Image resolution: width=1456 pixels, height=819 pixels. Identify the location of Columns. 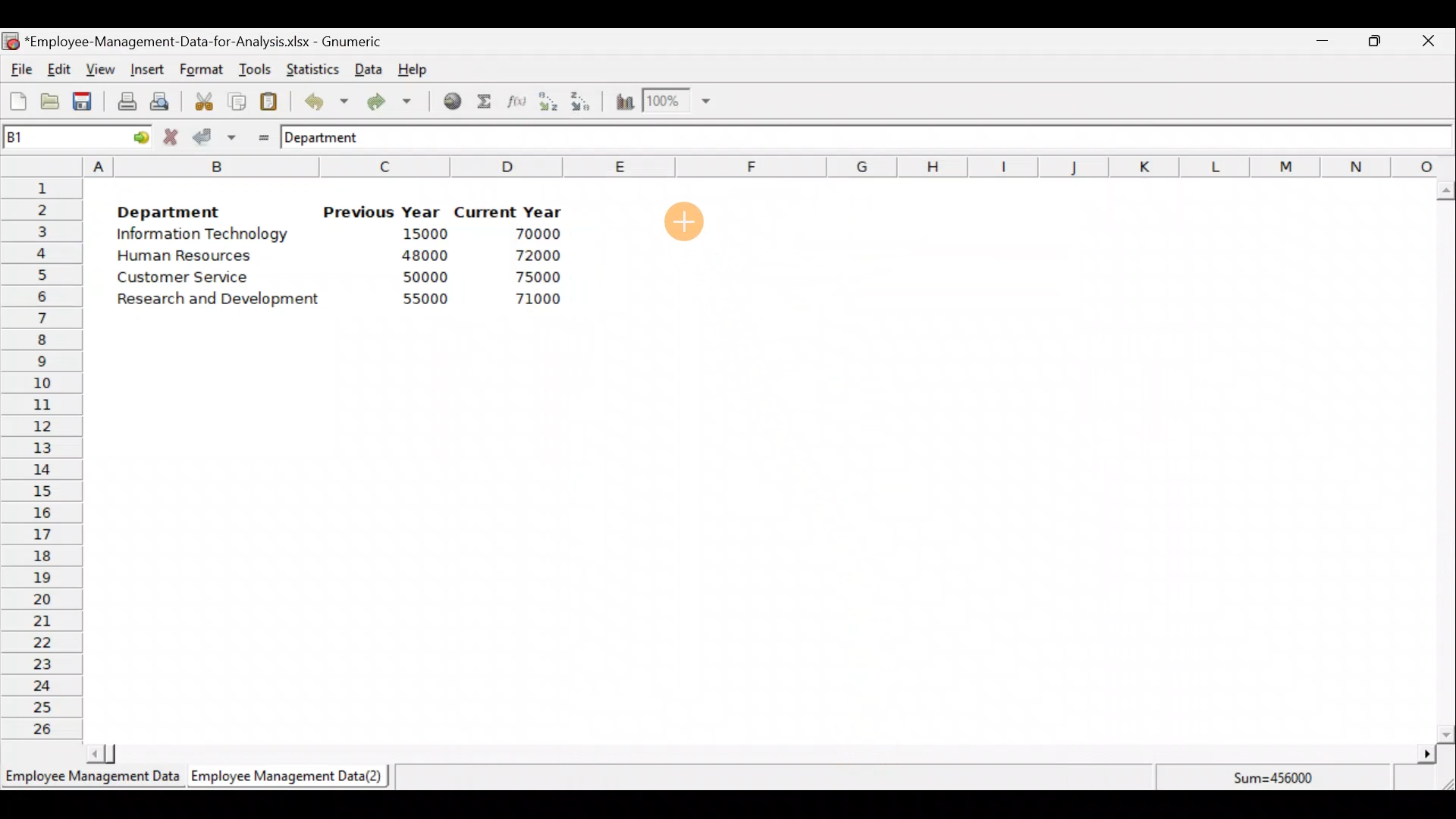
(769, 167).